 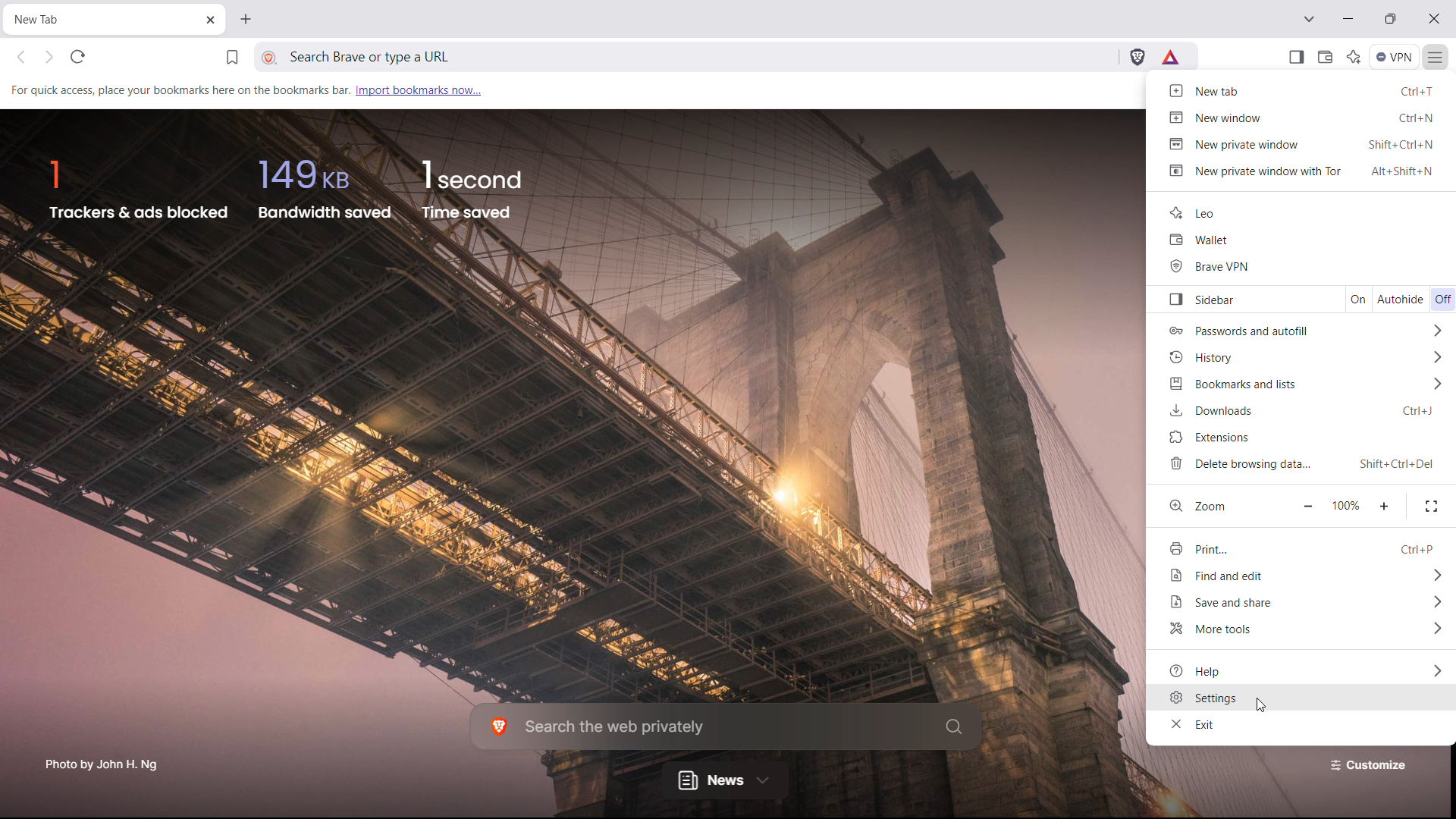 What do you see at coordinates (1172, 58) in the screenshot?
I see `earn tokens` at bounding box center [1172, 58].